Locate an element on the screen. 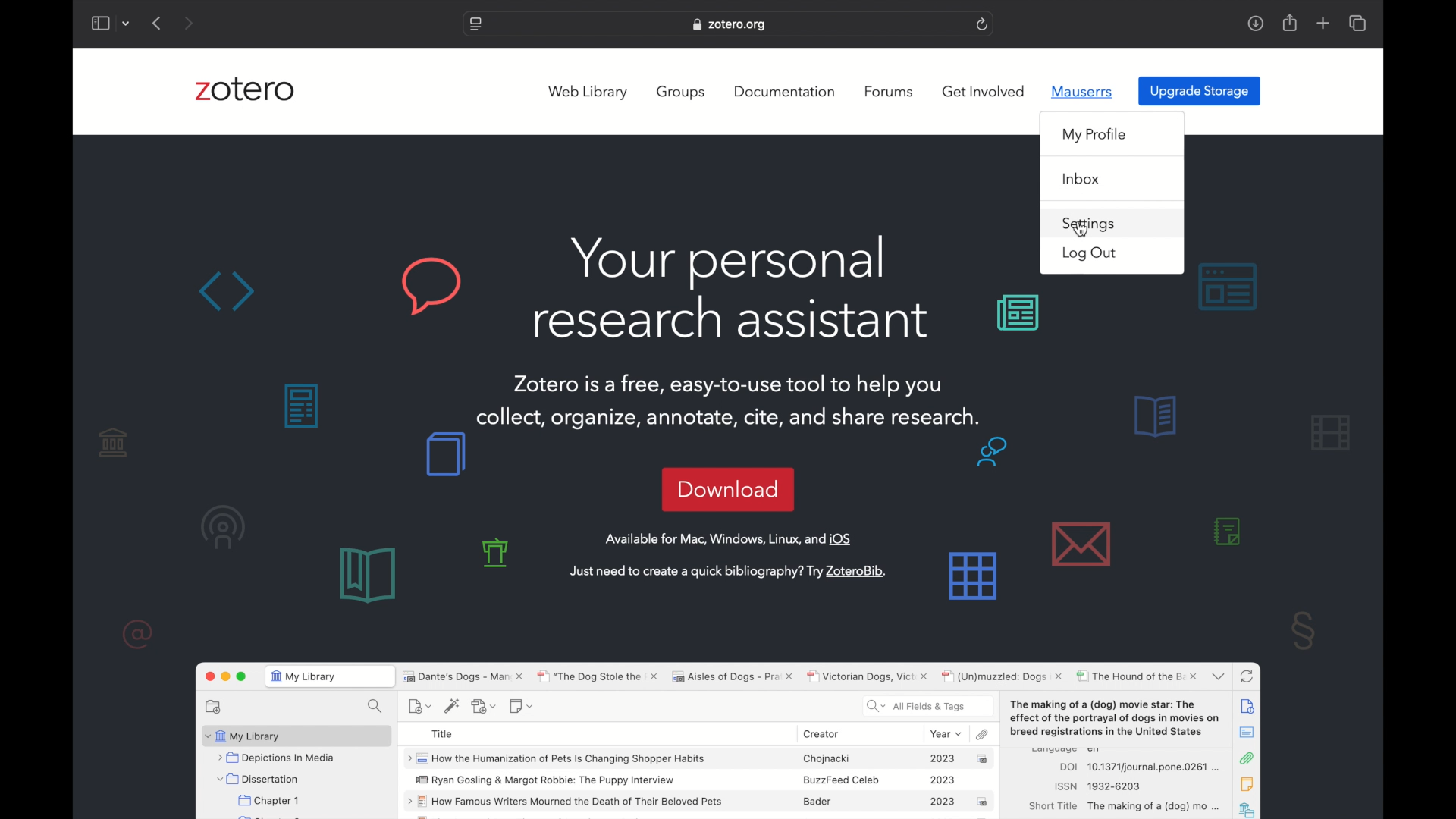 The width and height of the screenshot is (1456, 819). show tab overview is located at coordinates (1359, 24).